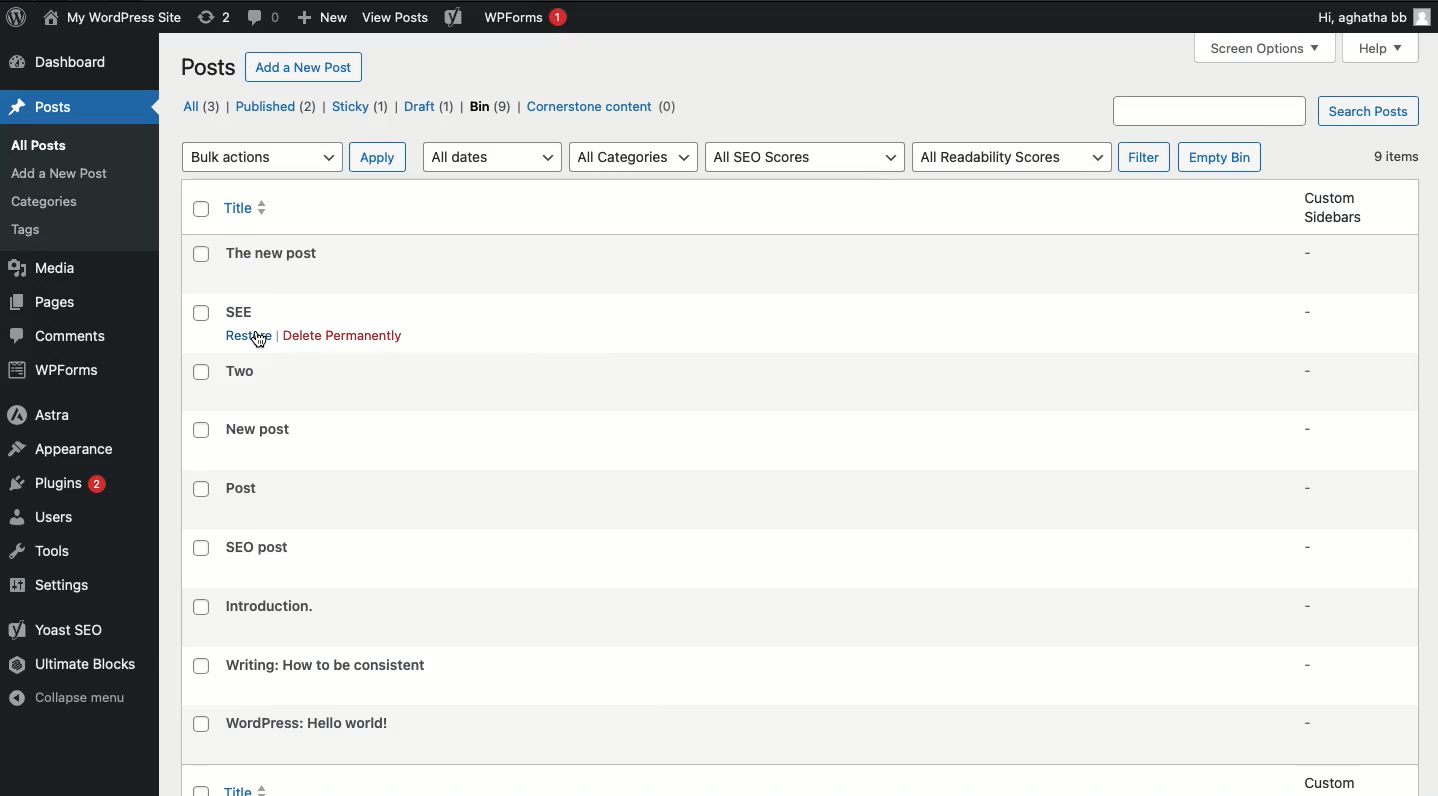 Image resolution: width=1438 pixels, height=796 pixels. Describe the element at coordinates (216, 18) in the screenshot. I see `Revisions` at that location.